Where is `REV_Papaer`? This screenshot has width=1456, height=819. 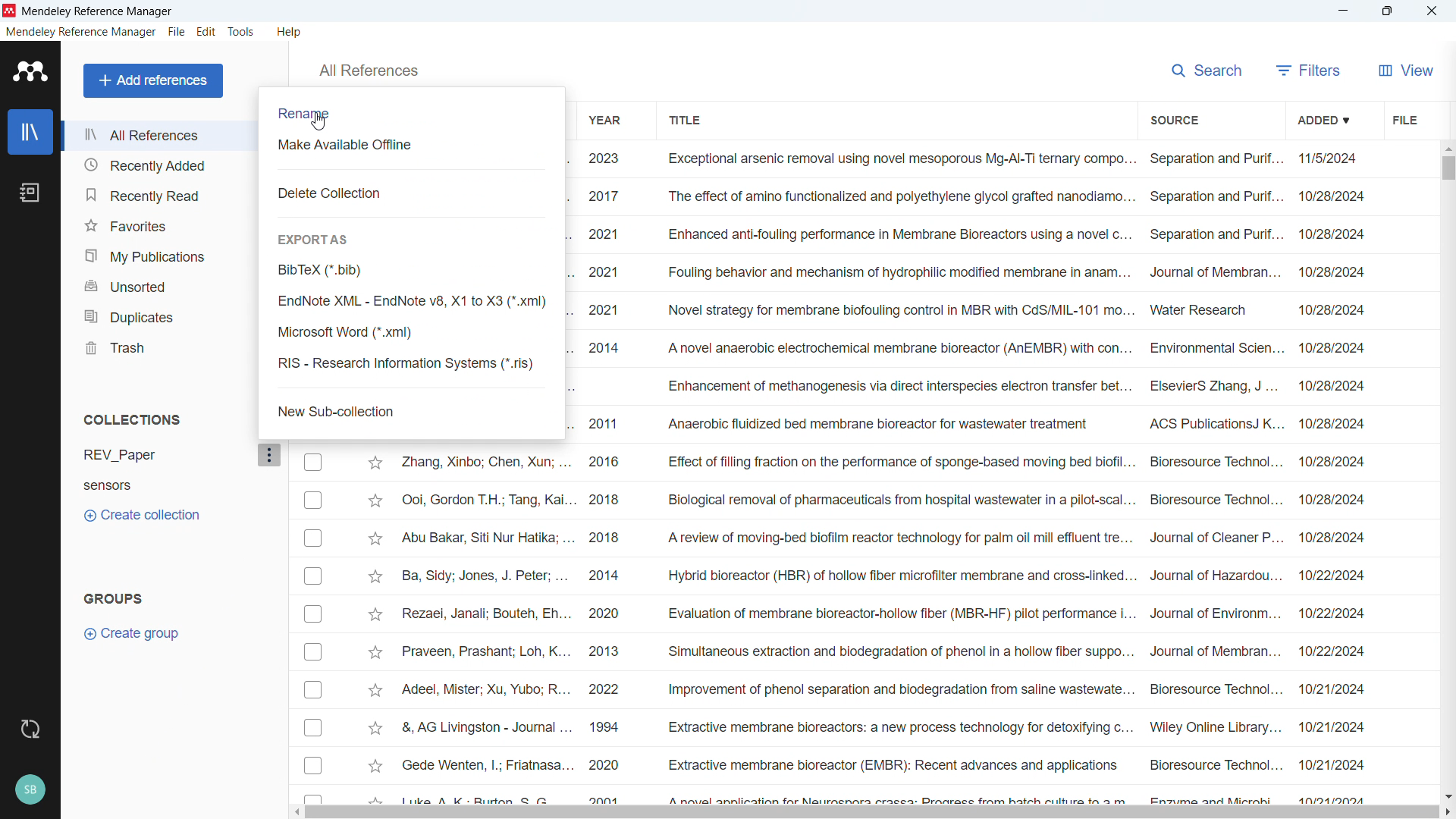
REV_Papaer is located at coordinates (159, 456).